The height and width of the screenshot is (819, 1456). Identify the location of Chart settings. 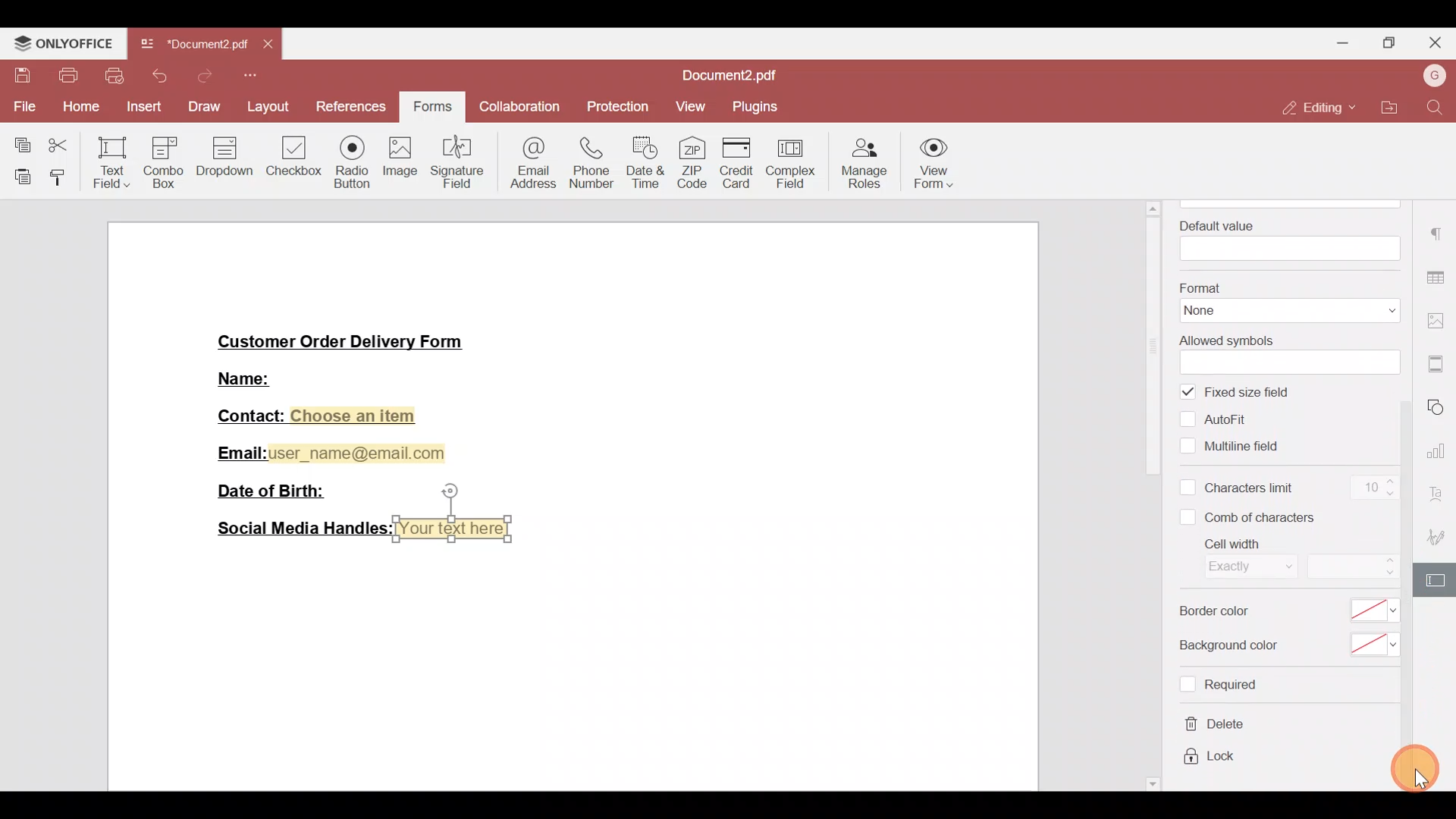
(1439, 451).